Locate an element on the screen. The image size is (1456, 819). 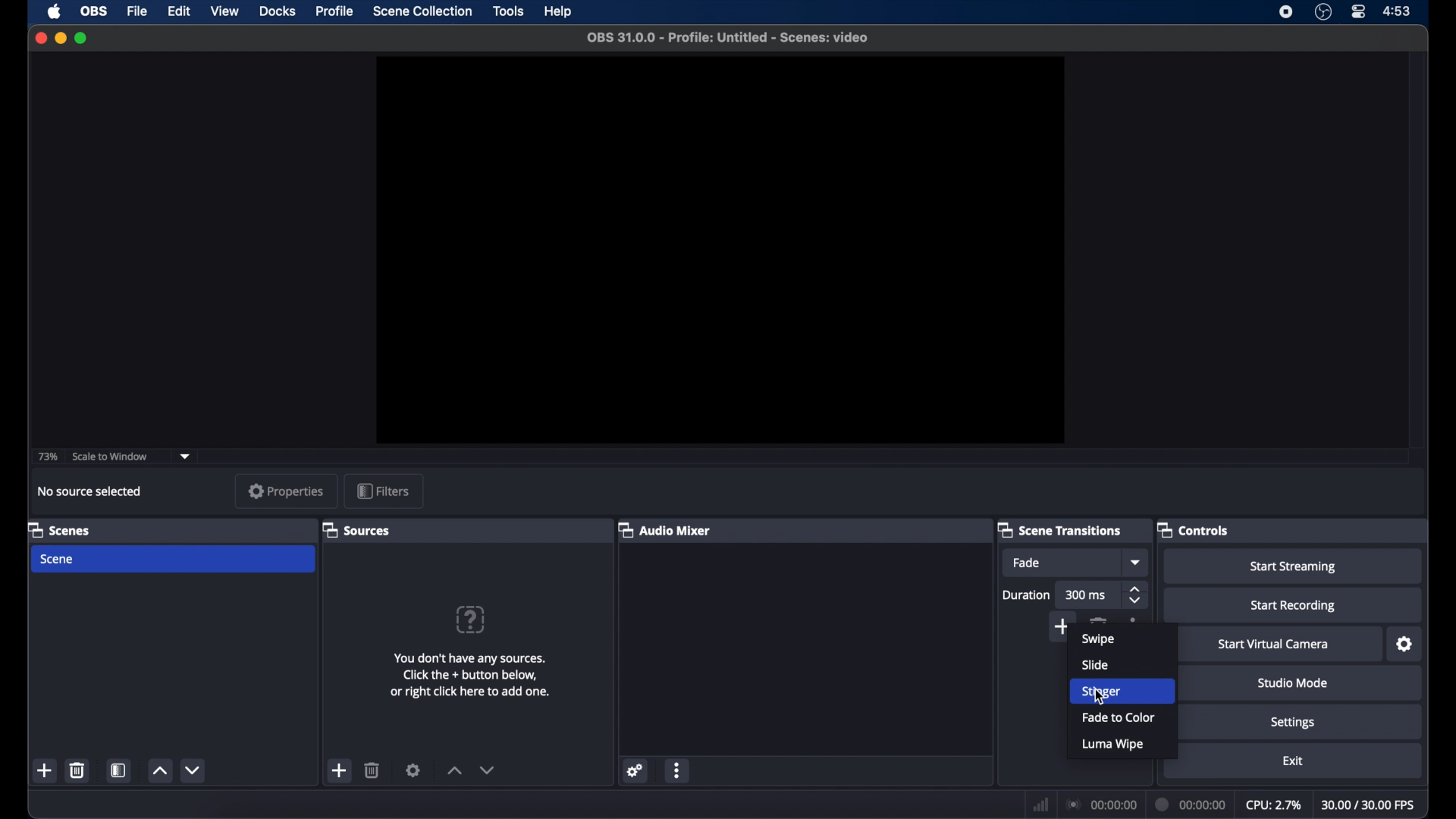
cpu is located at coordinates (1272, 804).